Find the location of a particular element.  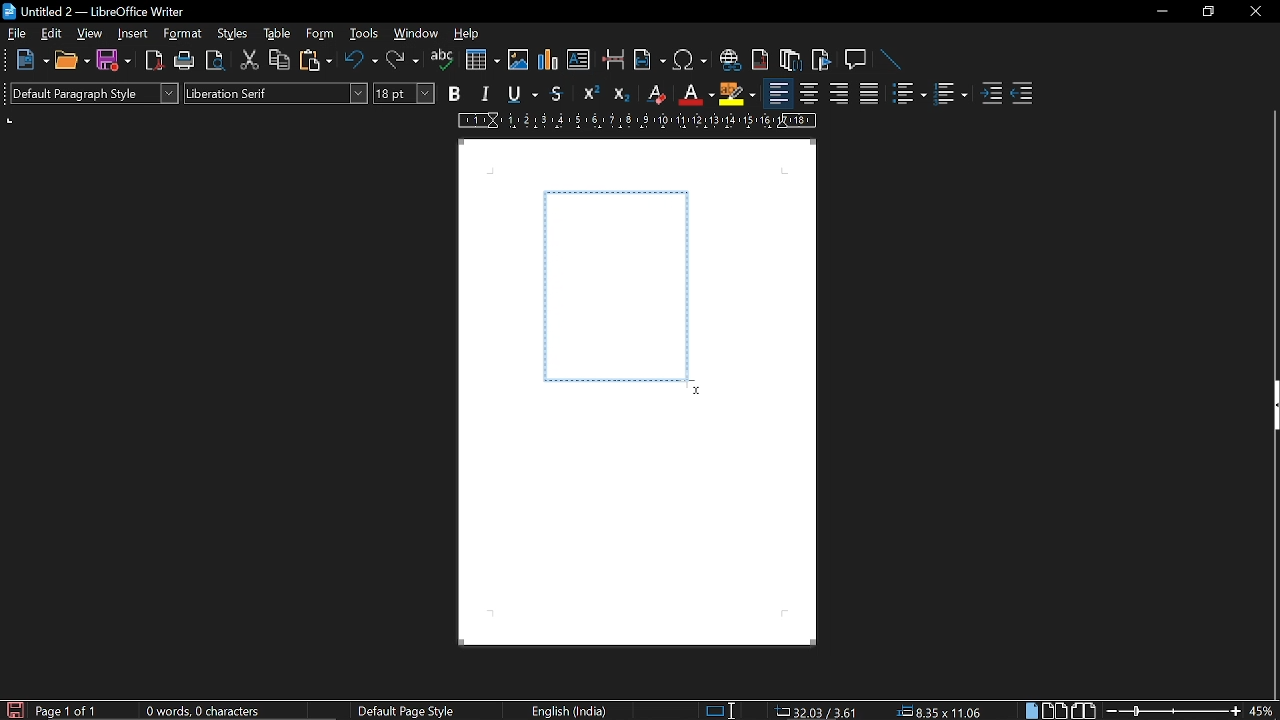

undo is located at coordinates (362, 61).